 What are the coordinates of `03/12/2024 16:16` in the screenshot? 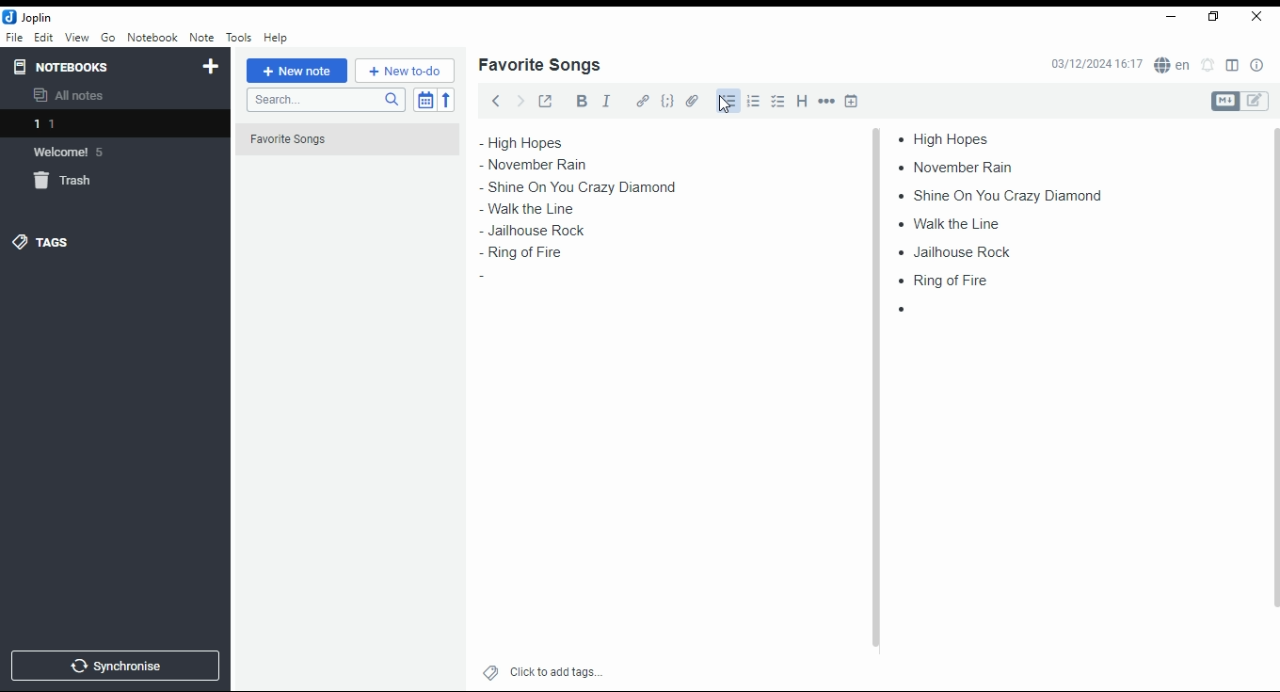 It's located at (1096, 64).